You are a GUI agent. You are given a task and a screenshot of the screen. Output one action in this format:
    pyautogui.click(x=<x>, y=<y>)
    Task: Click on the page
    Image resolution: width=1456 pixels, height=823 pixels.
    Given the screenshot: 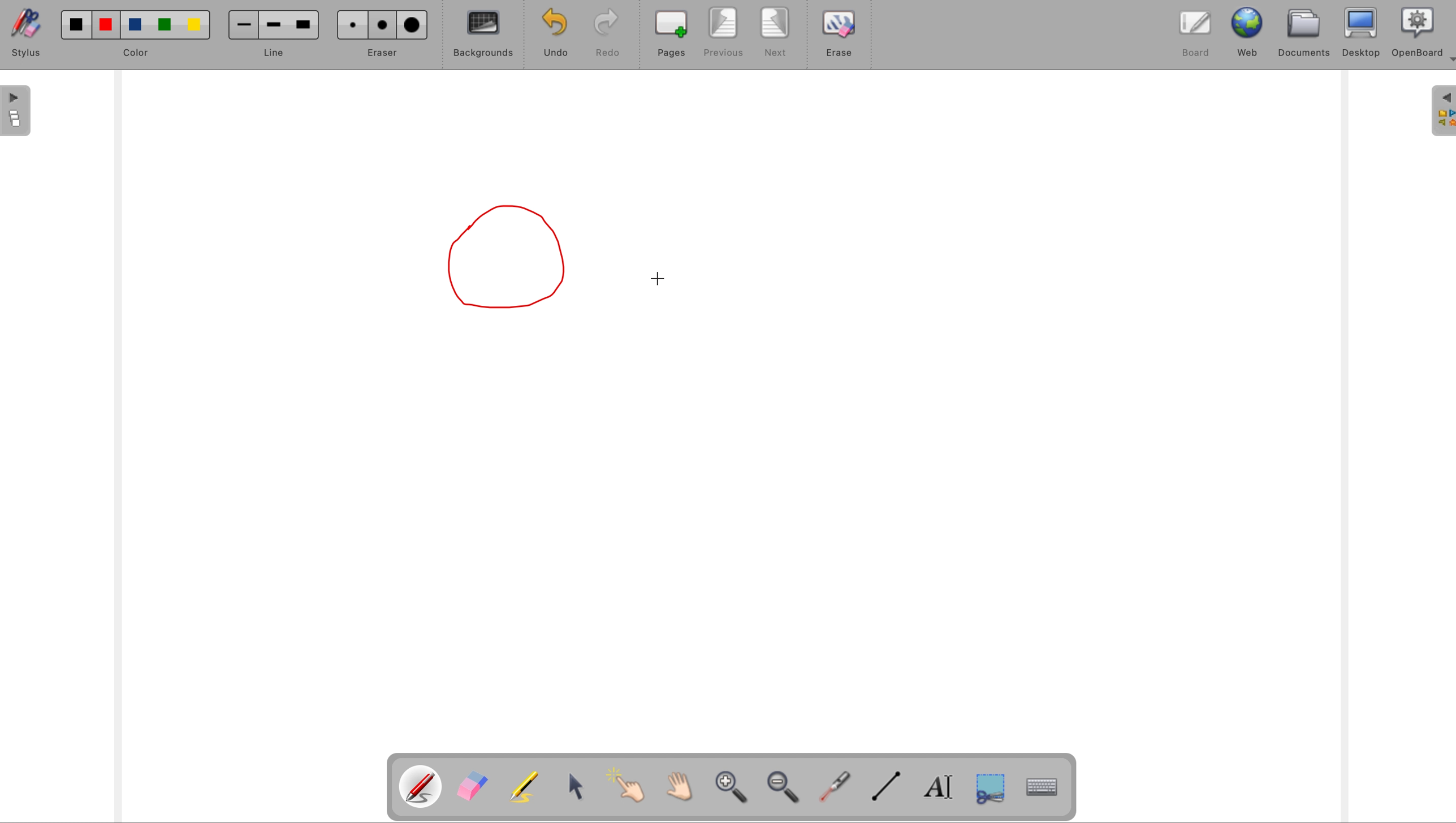 What is the action you would take?
    pyautogui.click(x=15, y=111)
    